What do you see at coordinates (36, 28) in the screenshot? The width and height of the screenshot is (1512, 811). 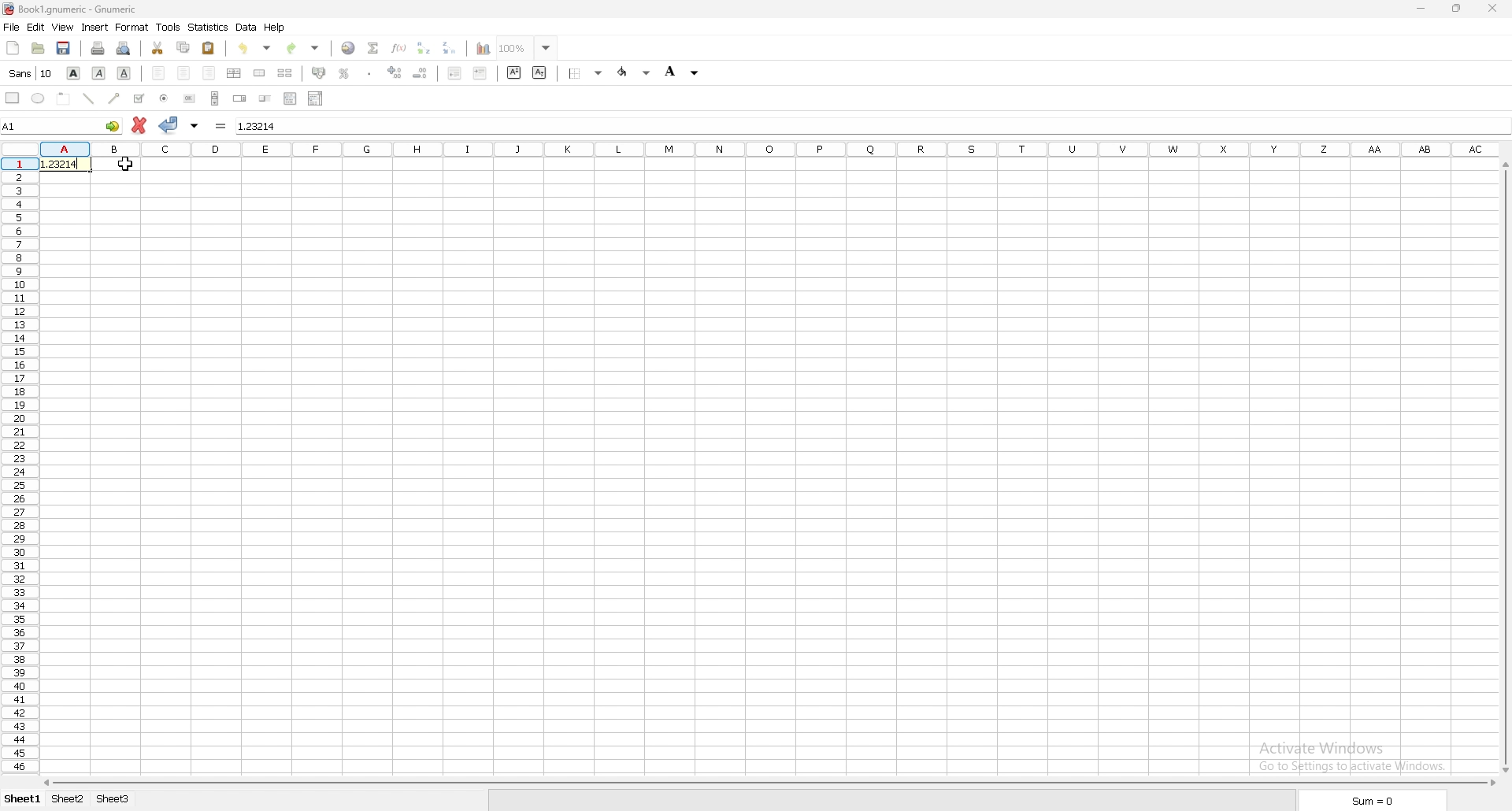 I see `edit` at bounding box center [36, 28].